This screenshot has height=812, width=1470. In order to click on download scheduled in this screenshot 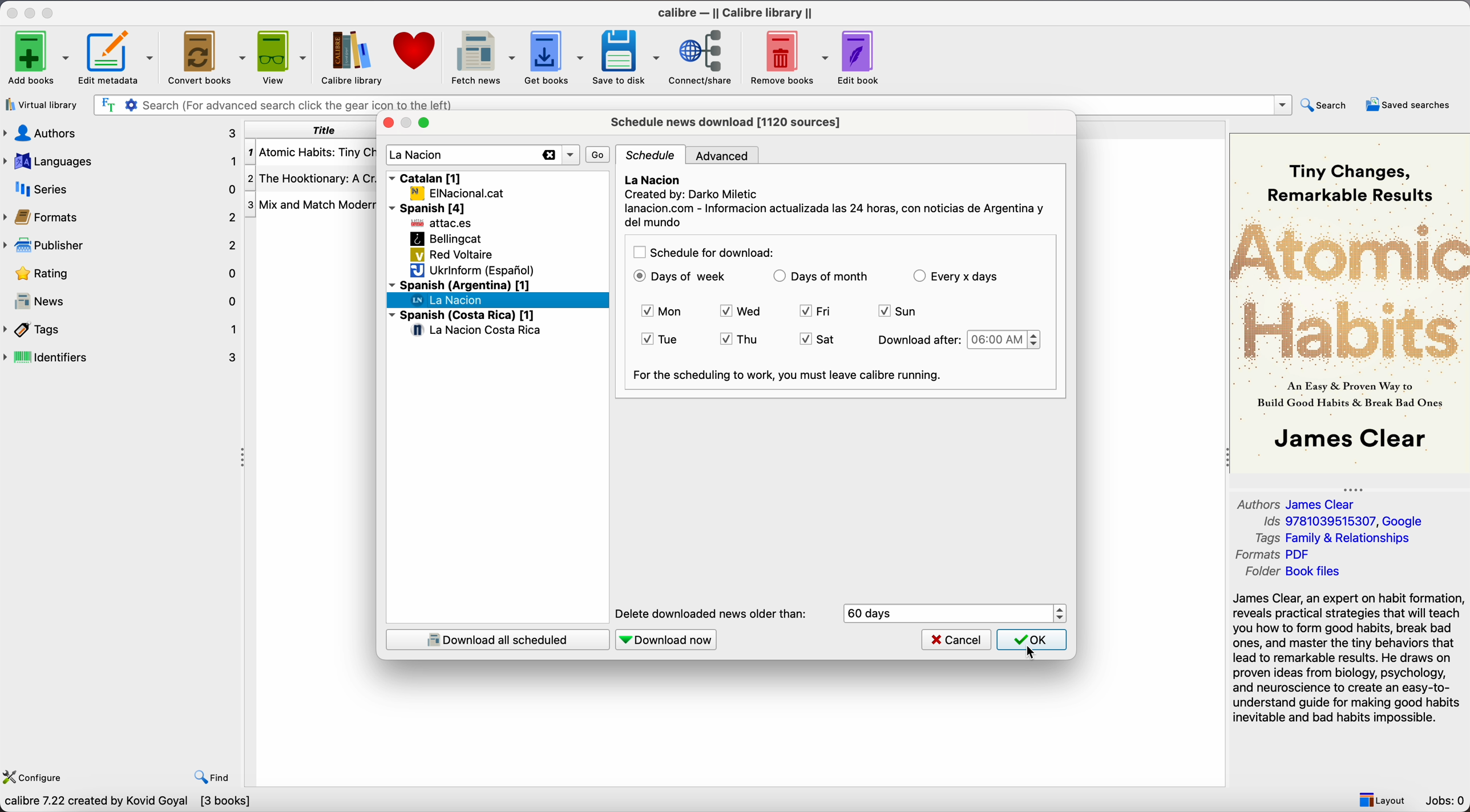, I will do `click(497, 639)`.